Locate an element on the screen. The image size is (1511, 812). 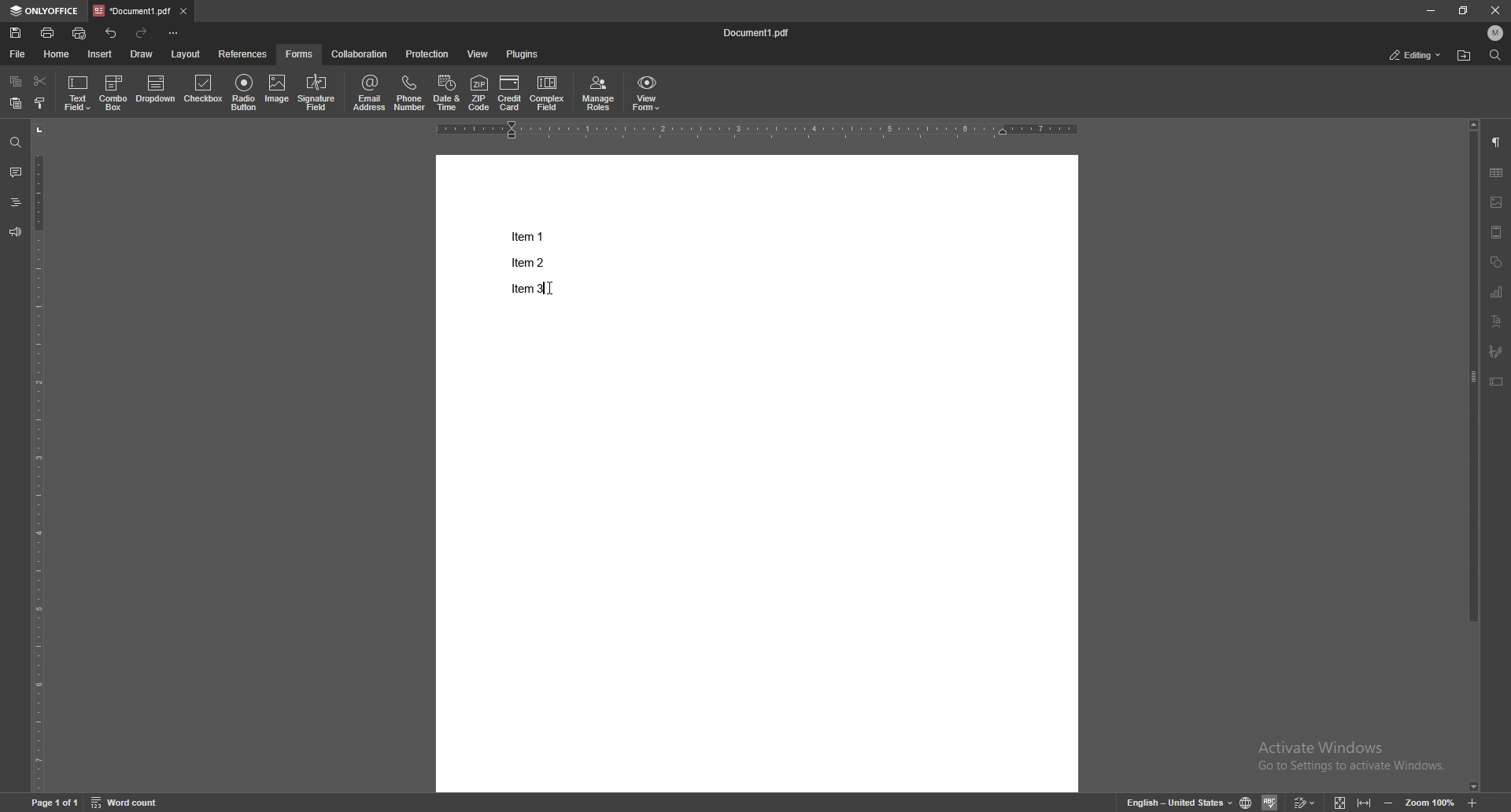
signature field is located at coordinates (317, 93).